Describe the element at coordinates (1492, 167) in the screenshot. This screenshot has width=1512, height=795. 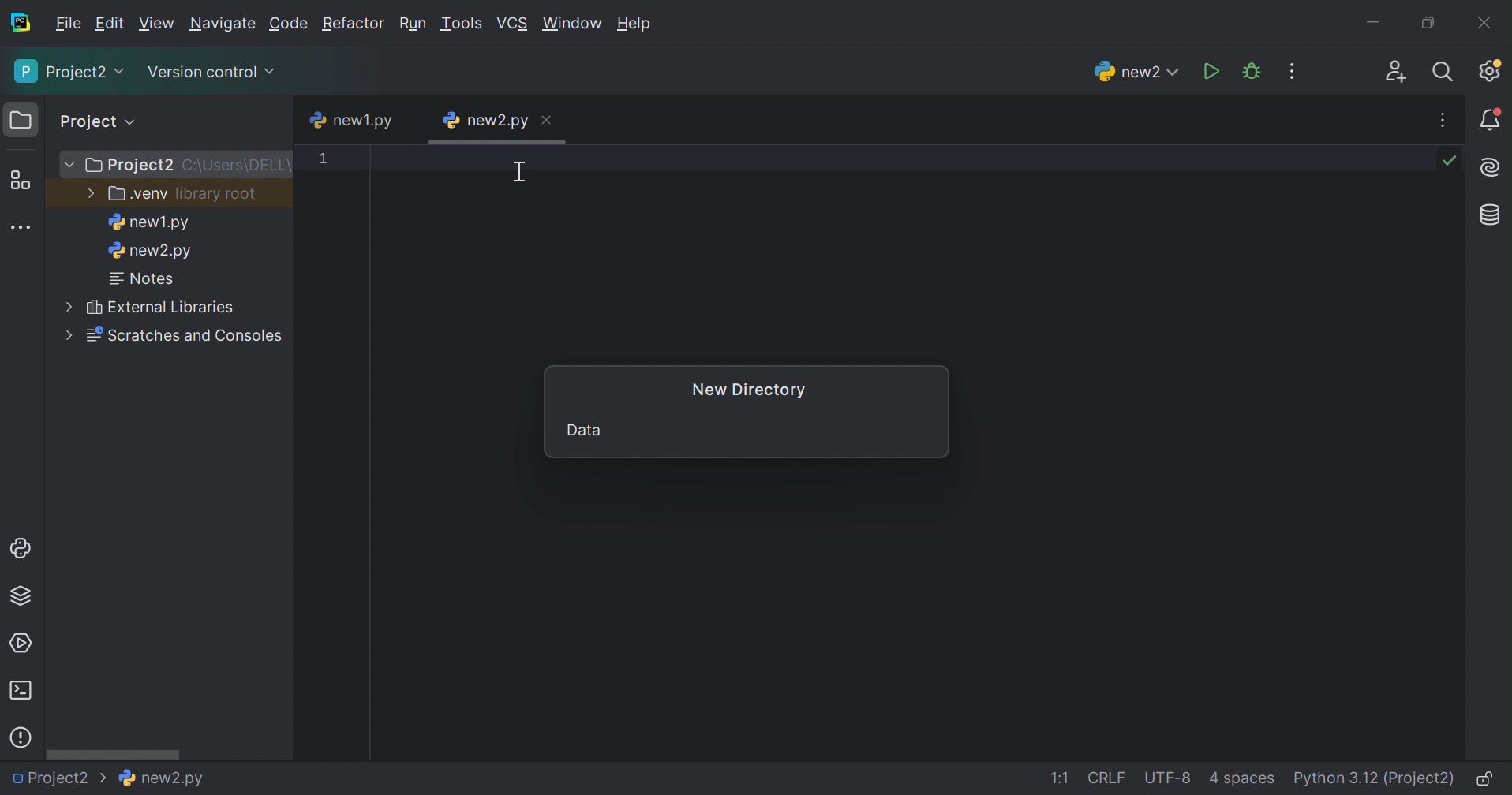
I see `AI Assistant` at that location.